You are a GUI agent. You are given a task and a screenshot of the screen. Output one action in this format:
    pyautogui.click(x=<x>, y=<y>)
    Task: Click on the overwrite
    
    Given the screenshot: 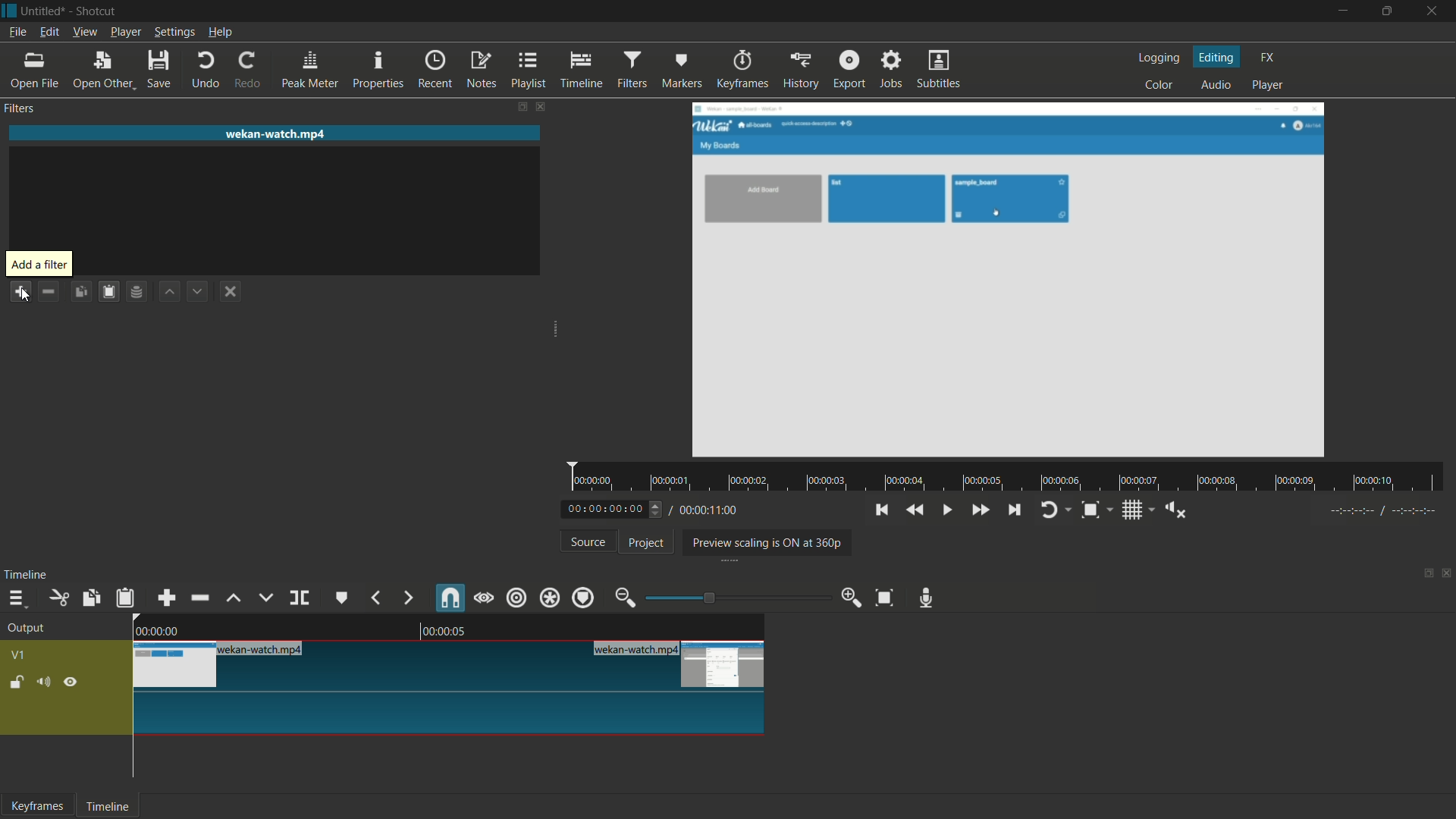 What is the action you would take?
    pyautogui.click(x=265, y=597)
    